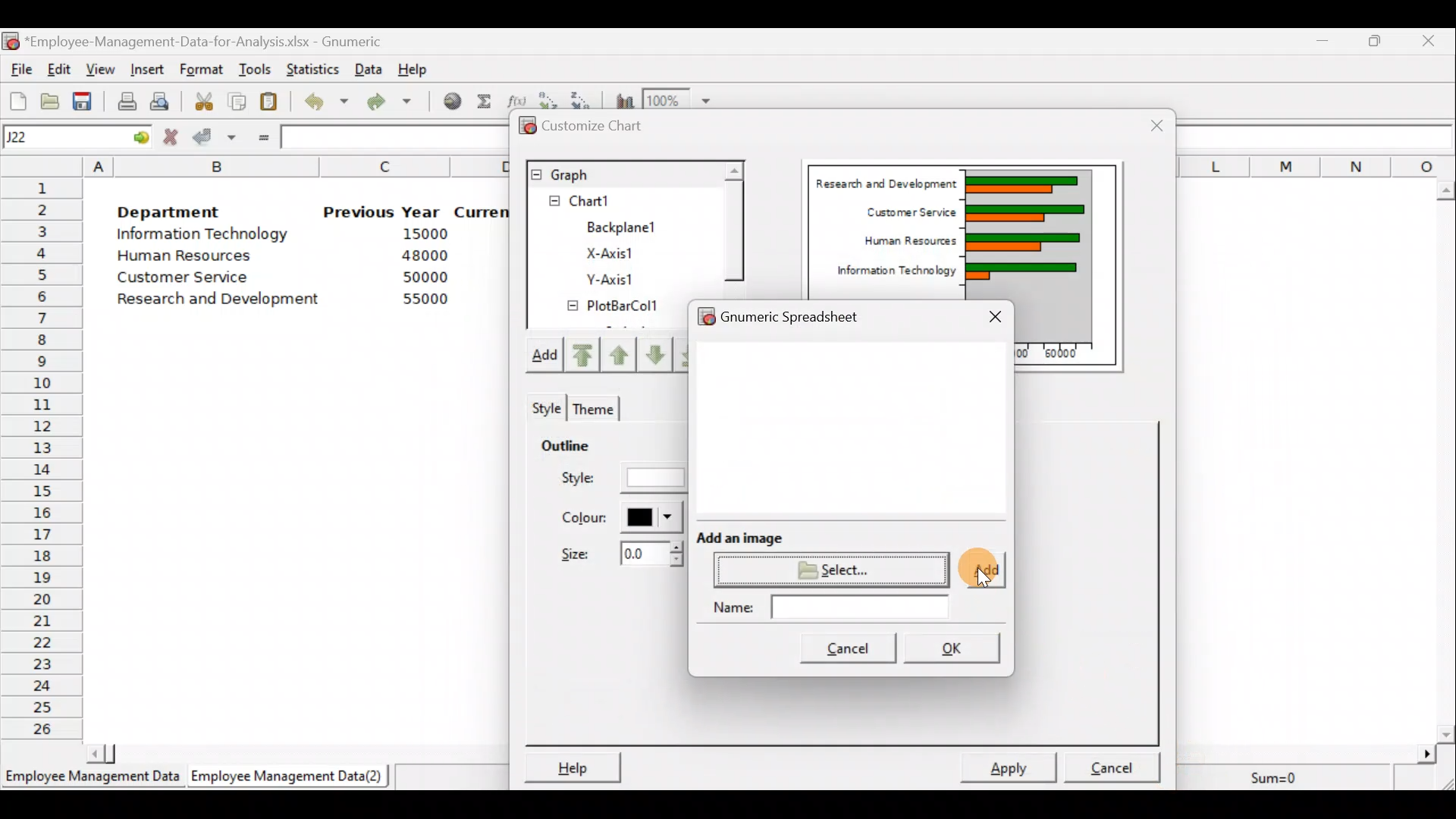 This screenshot has height=819, width=1456. What do you see at coordinates (255, 67) in the screenshot?
I see `Tools` at bounding box center [255, 67].